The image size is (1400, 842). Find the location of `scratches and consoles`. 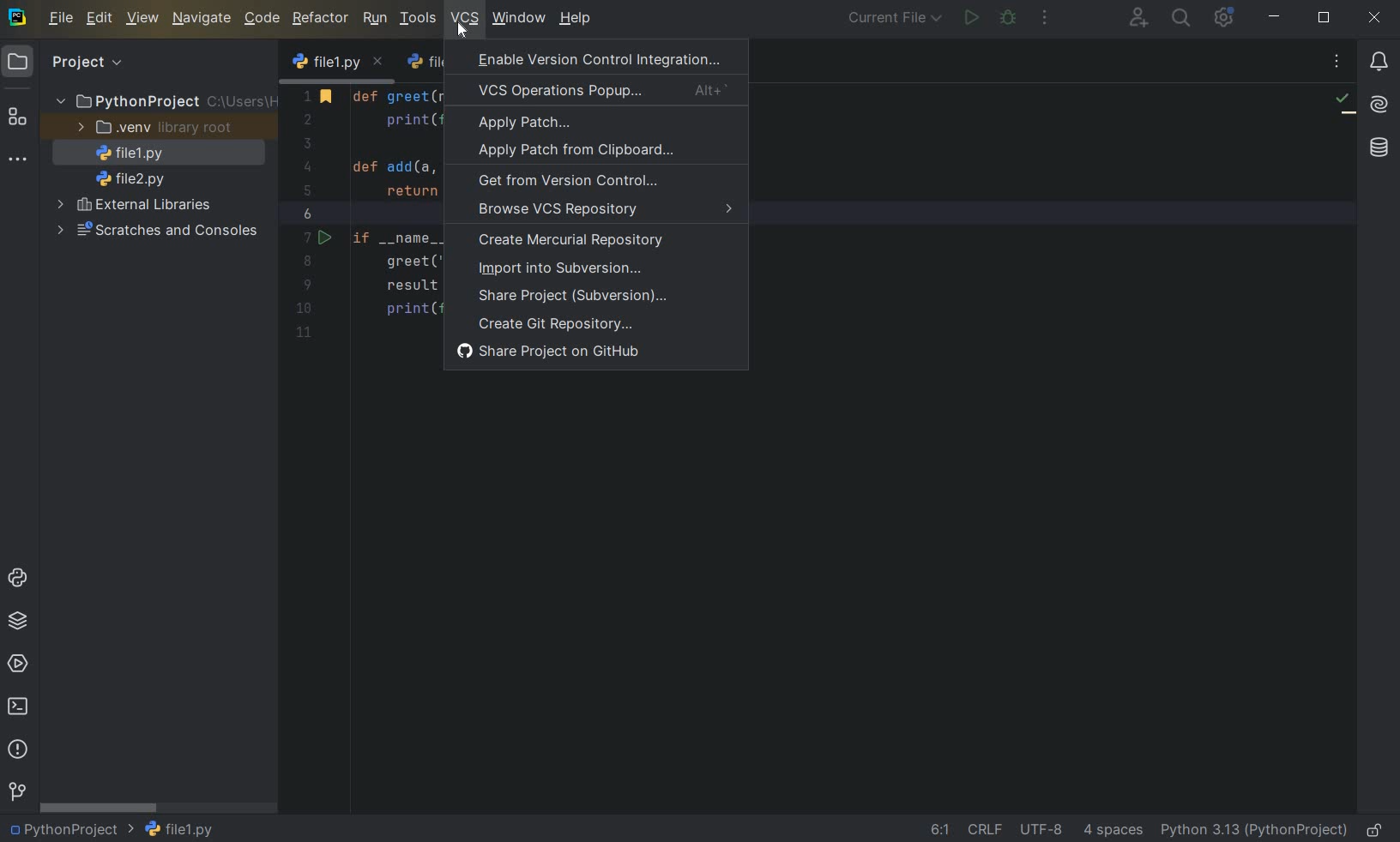

scratches and consoles is located at coordinates (155, 231).